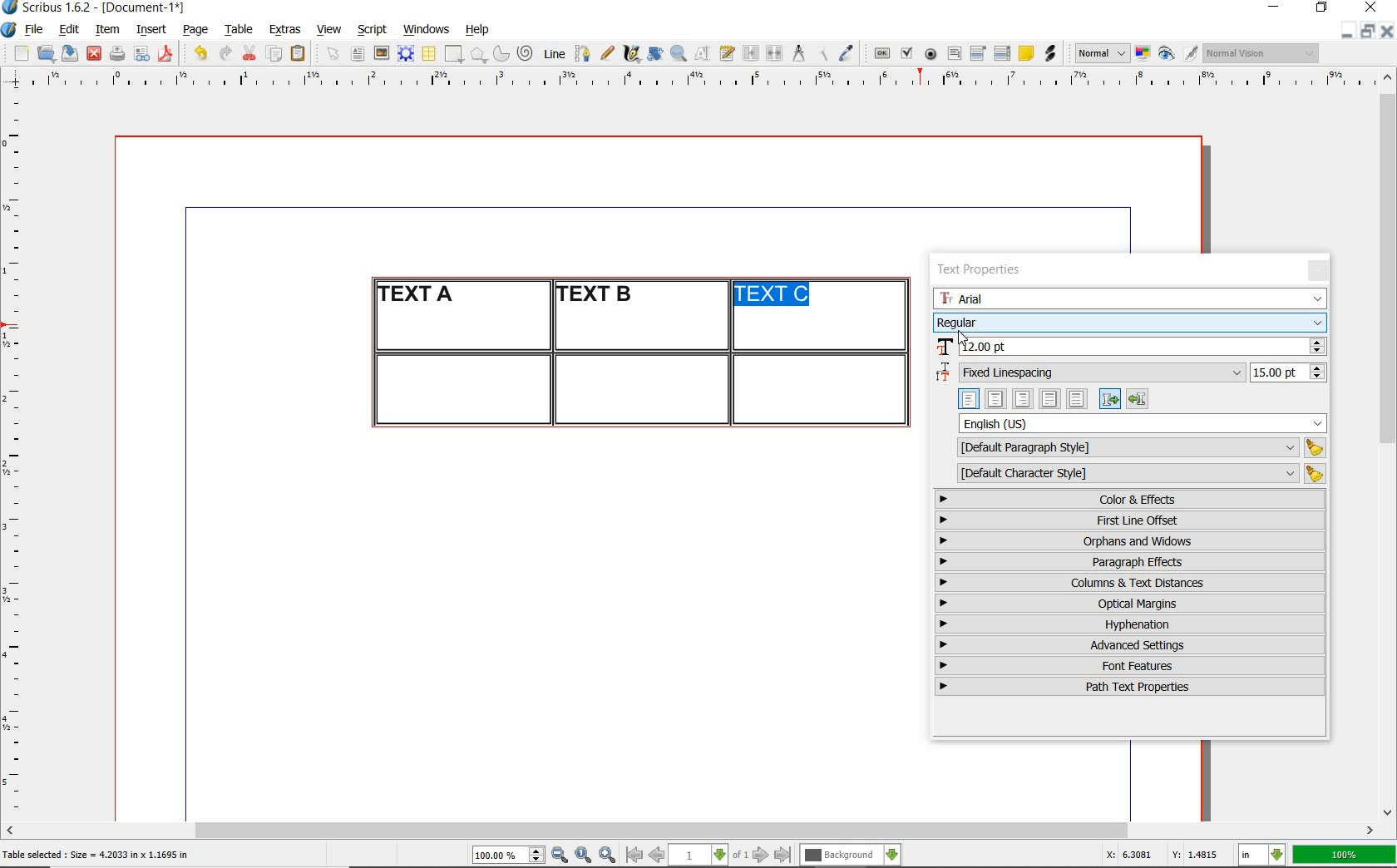  Describe the element at coordinates (679, 53) in the screenshot. I see `zoom in or zoom out` at that location.